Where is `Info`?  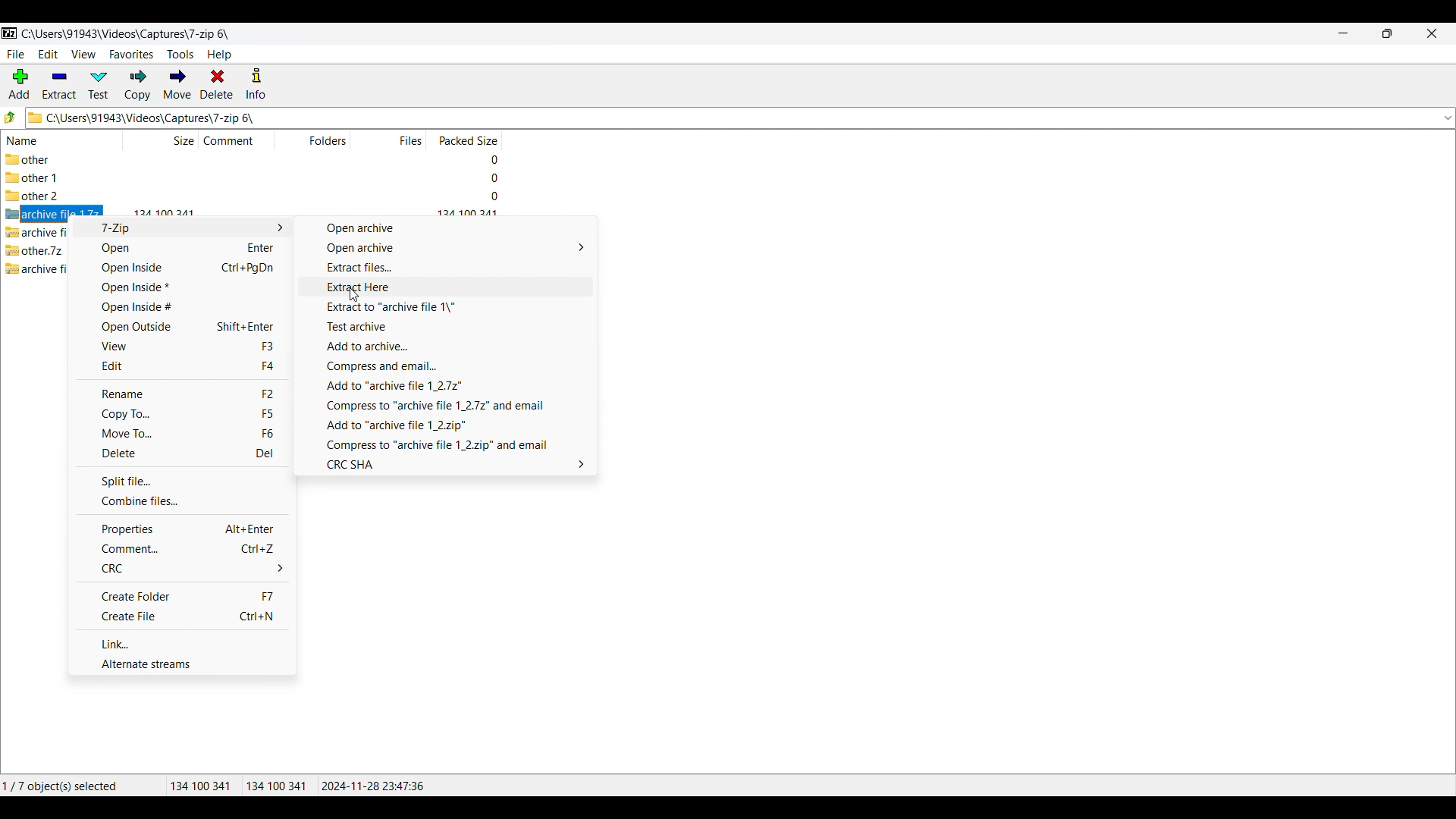
Info is located at coordinates (256, 83).